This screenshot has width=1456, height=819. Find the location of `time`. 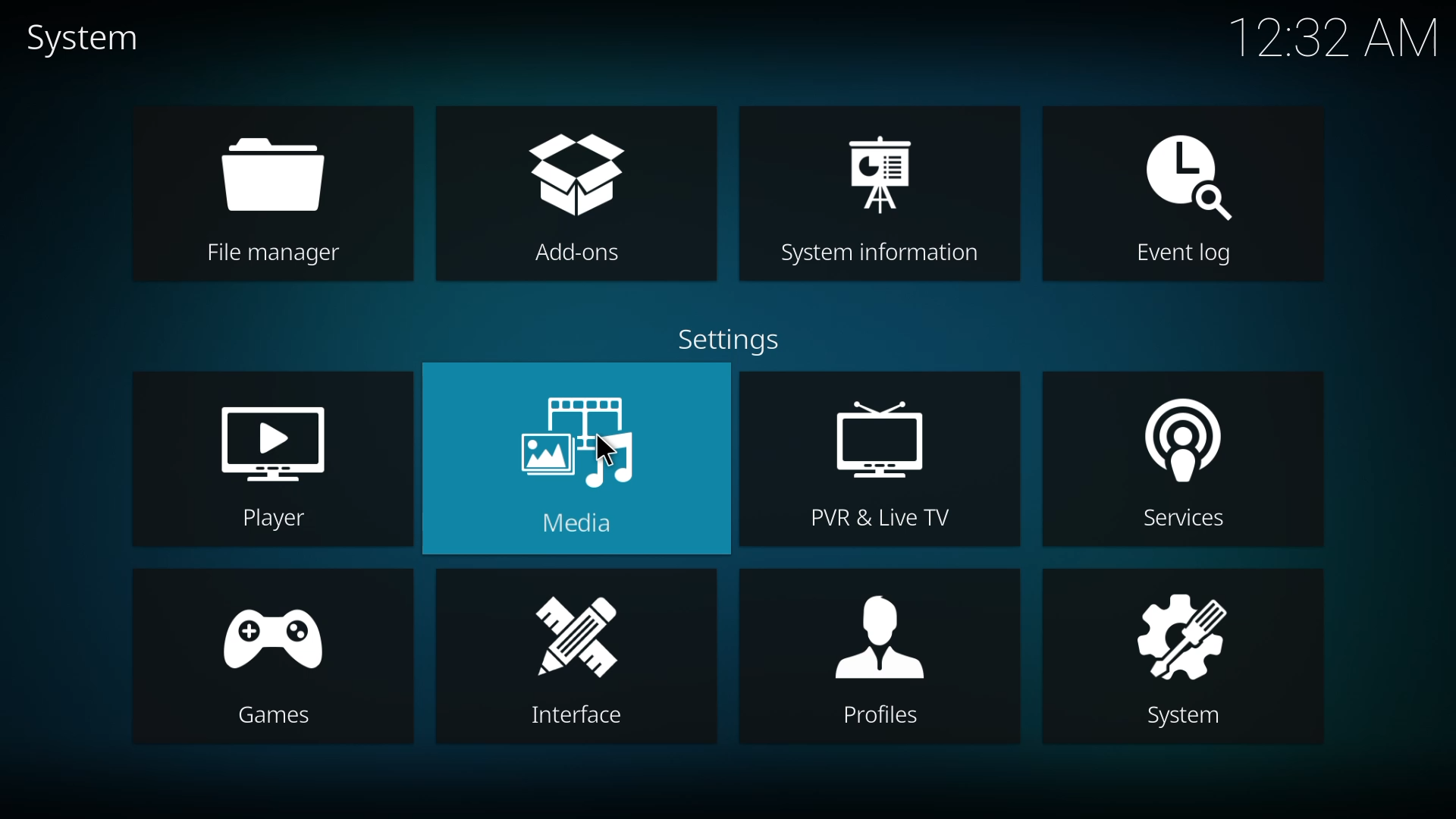

time is located at coordinates (1336, 36).